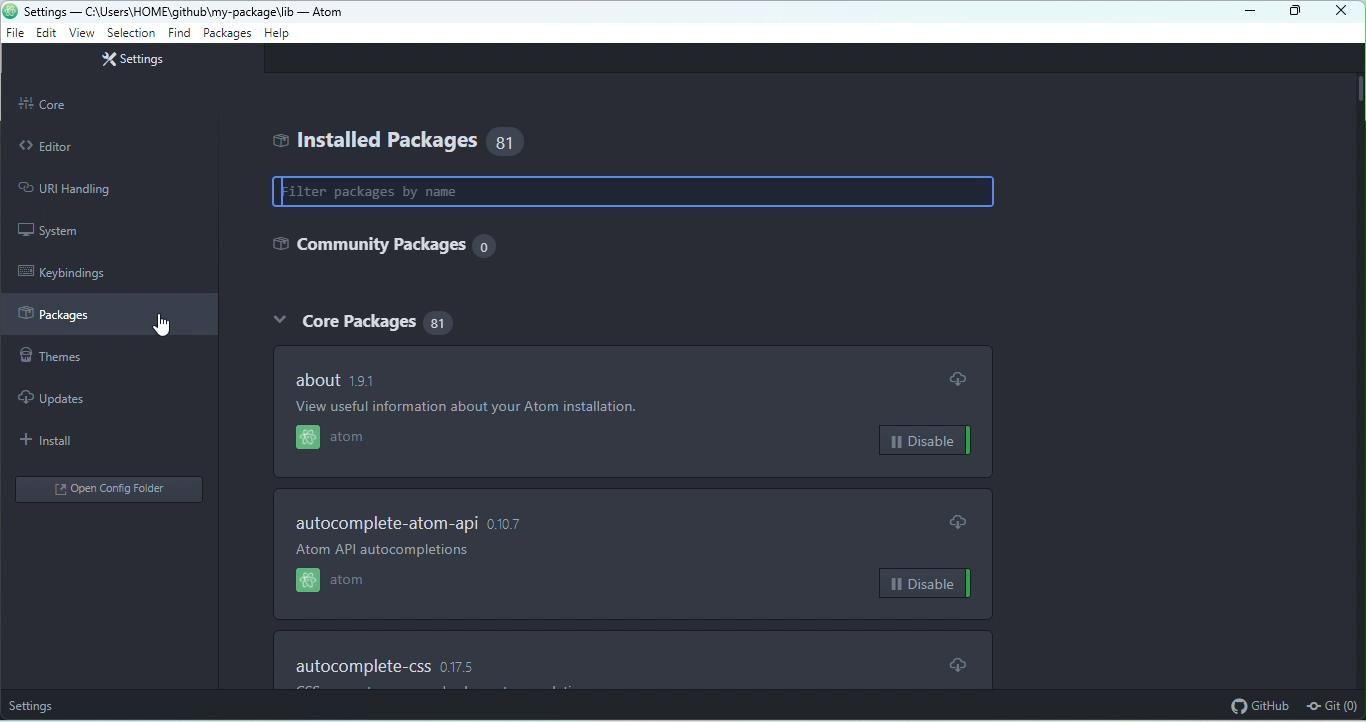 The height and width of the screenshot is (722, 1366). I want to click on View useful information about your Atom installation., so click(471, 407).